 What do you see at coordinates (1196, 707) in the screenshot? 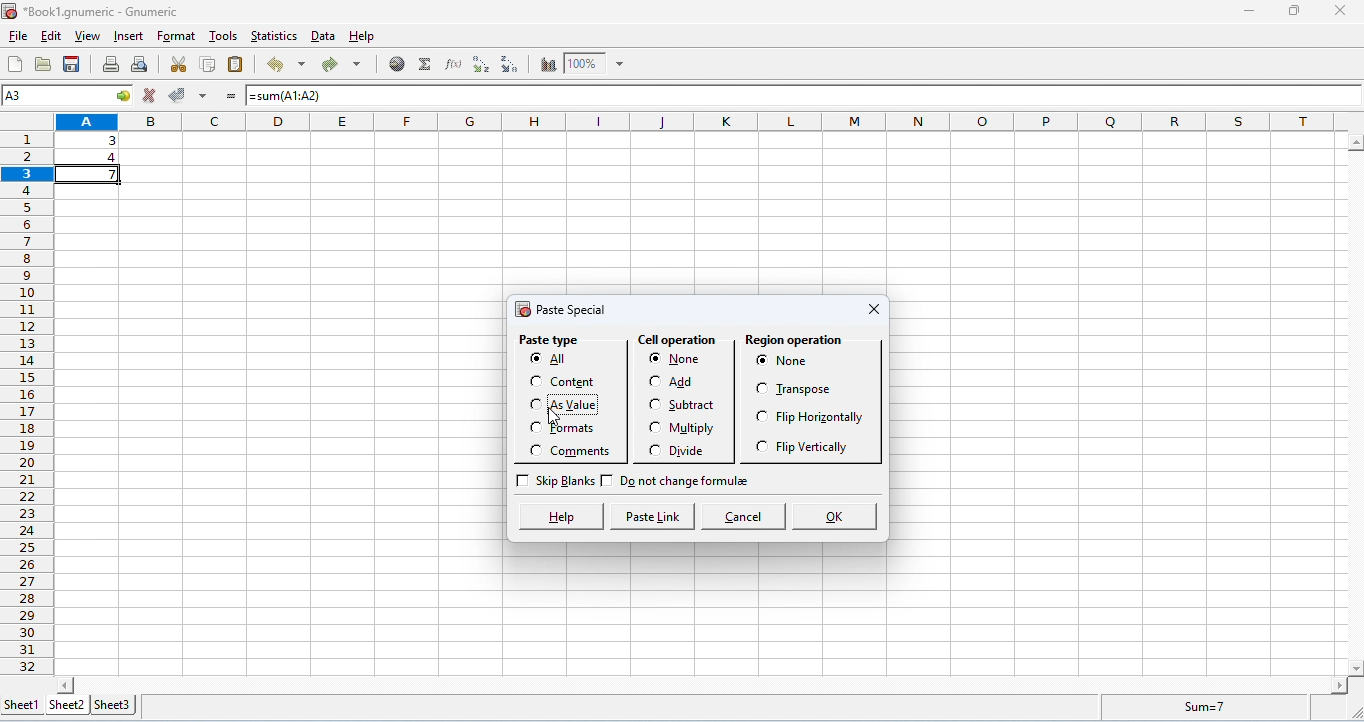
I see `formula` at bounding box center [1196, 707].